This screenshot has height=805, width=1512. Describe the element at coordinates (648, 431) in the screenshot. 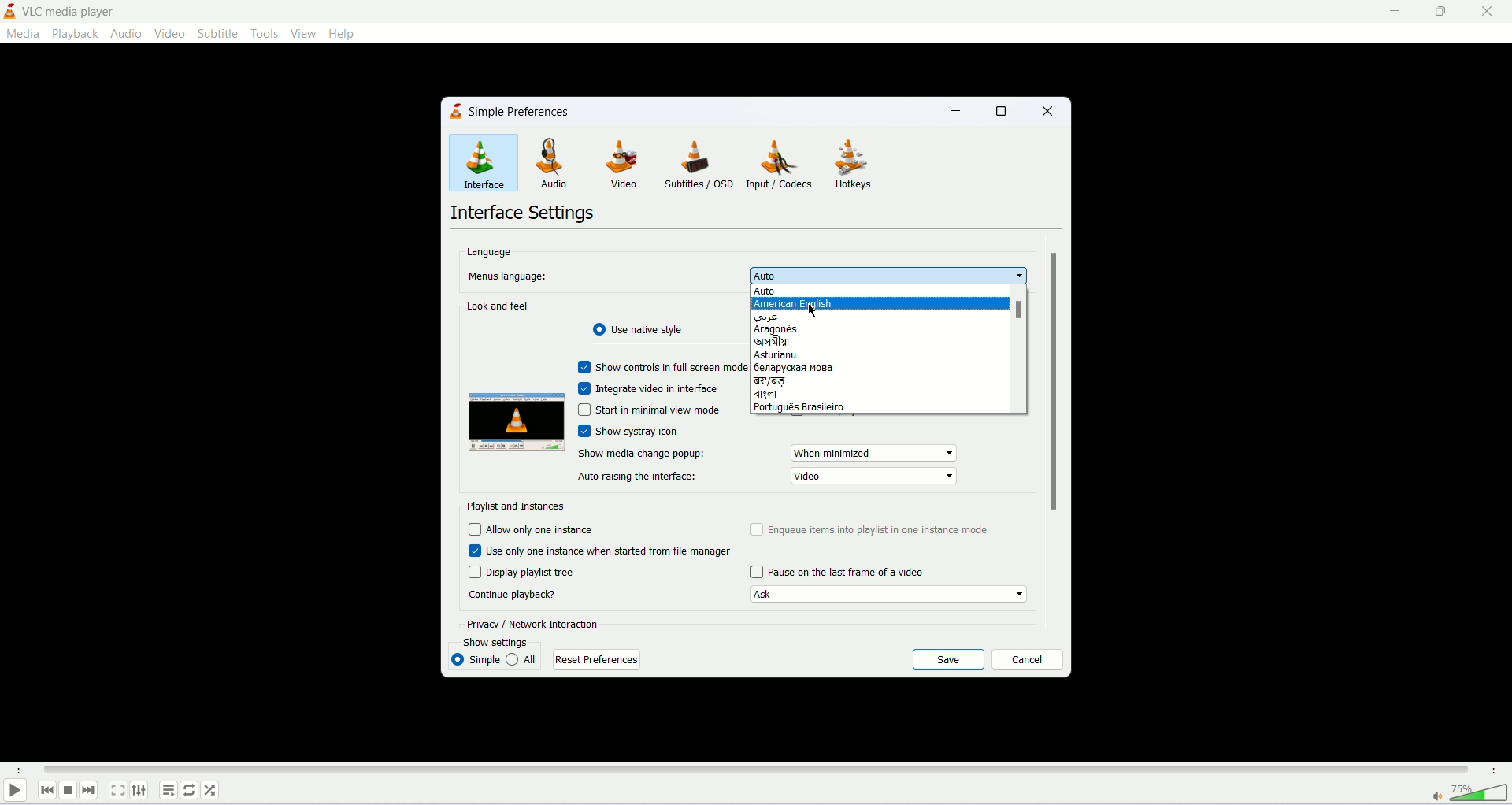

I see `show systray icon` at that location.